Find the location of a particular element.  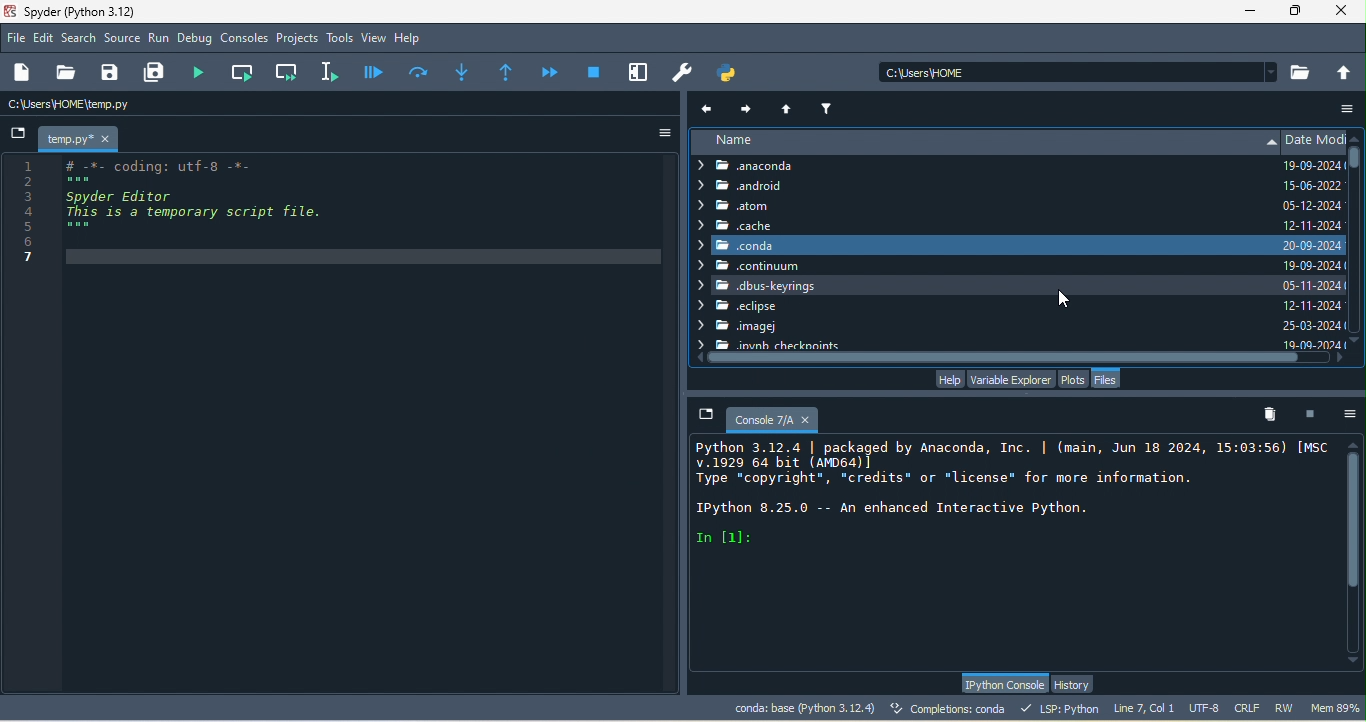

close is located at coordinates (1346, 12).